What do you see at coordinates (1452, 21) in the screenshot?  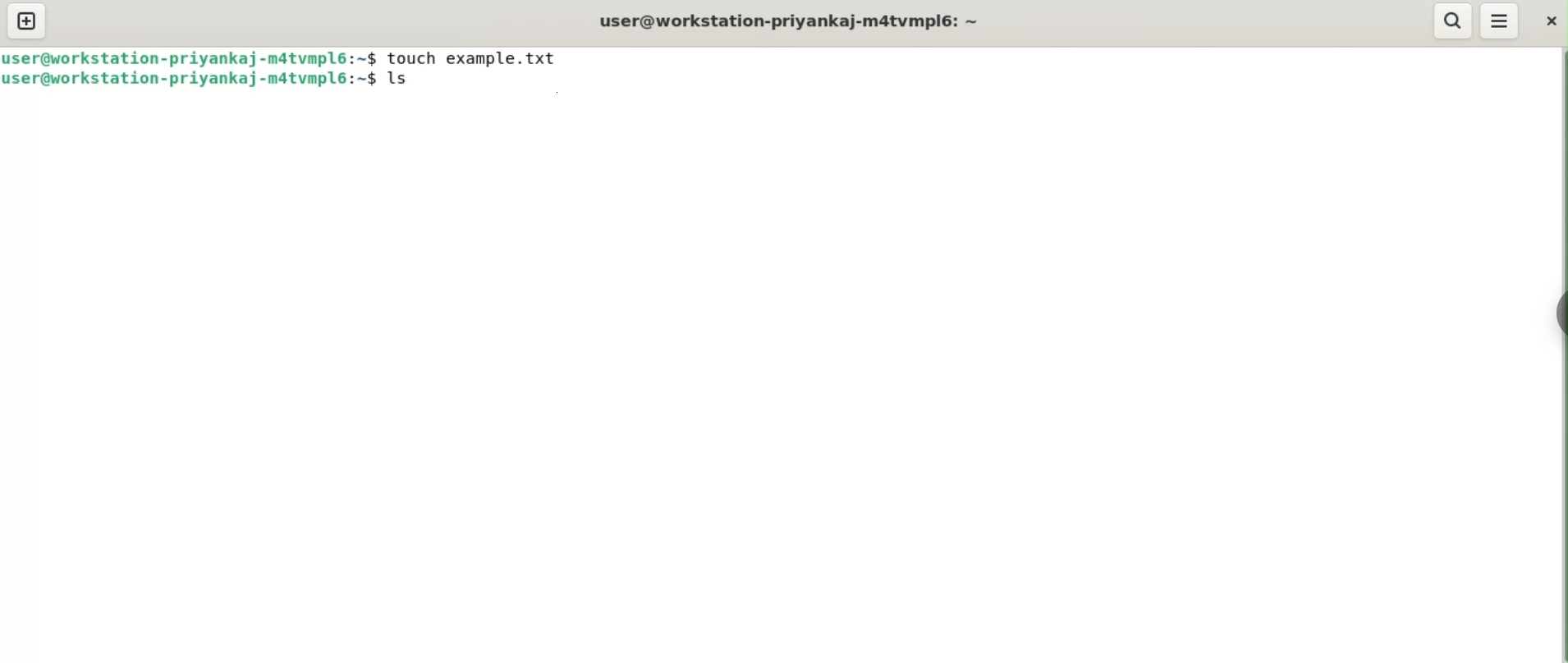 I see `search` at bounding box center [1452, 21].